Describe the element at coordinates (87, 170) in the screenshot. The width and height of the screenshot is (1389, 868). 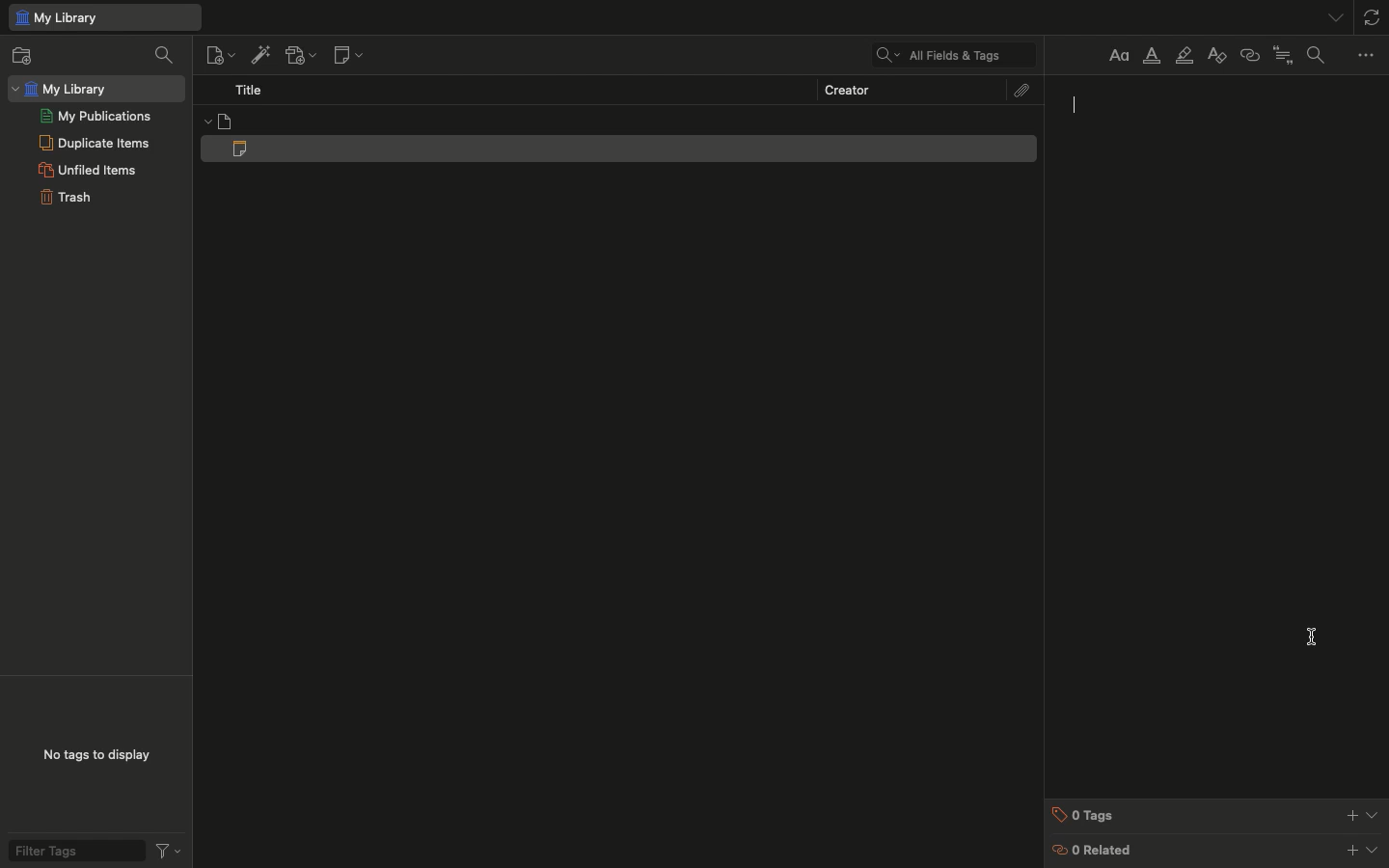
I see `Unfilled items` at that location.